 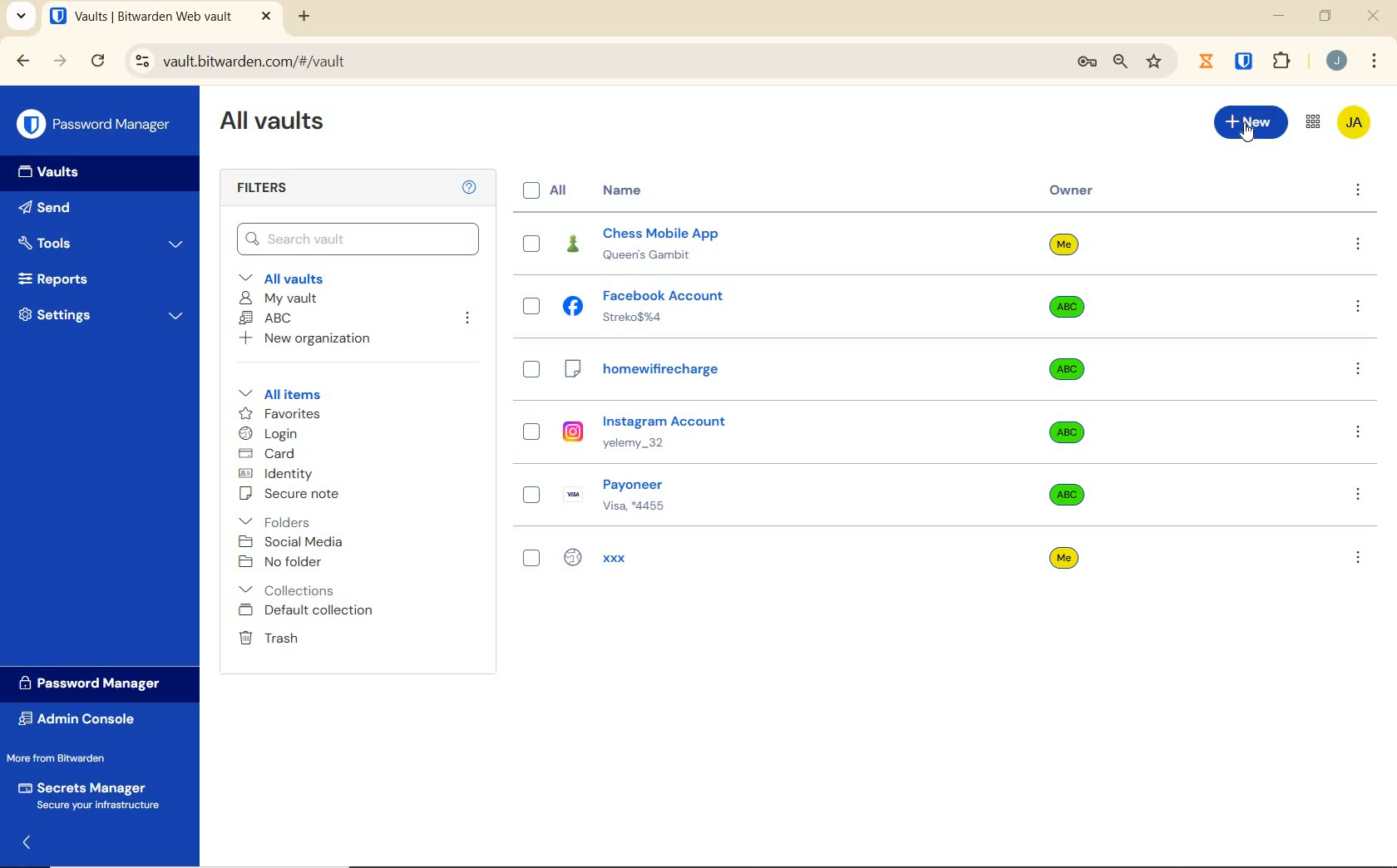 What do you see at coordinates (101, 62) in the screenshot?
I see `reload` at bounding box center [101, 62].